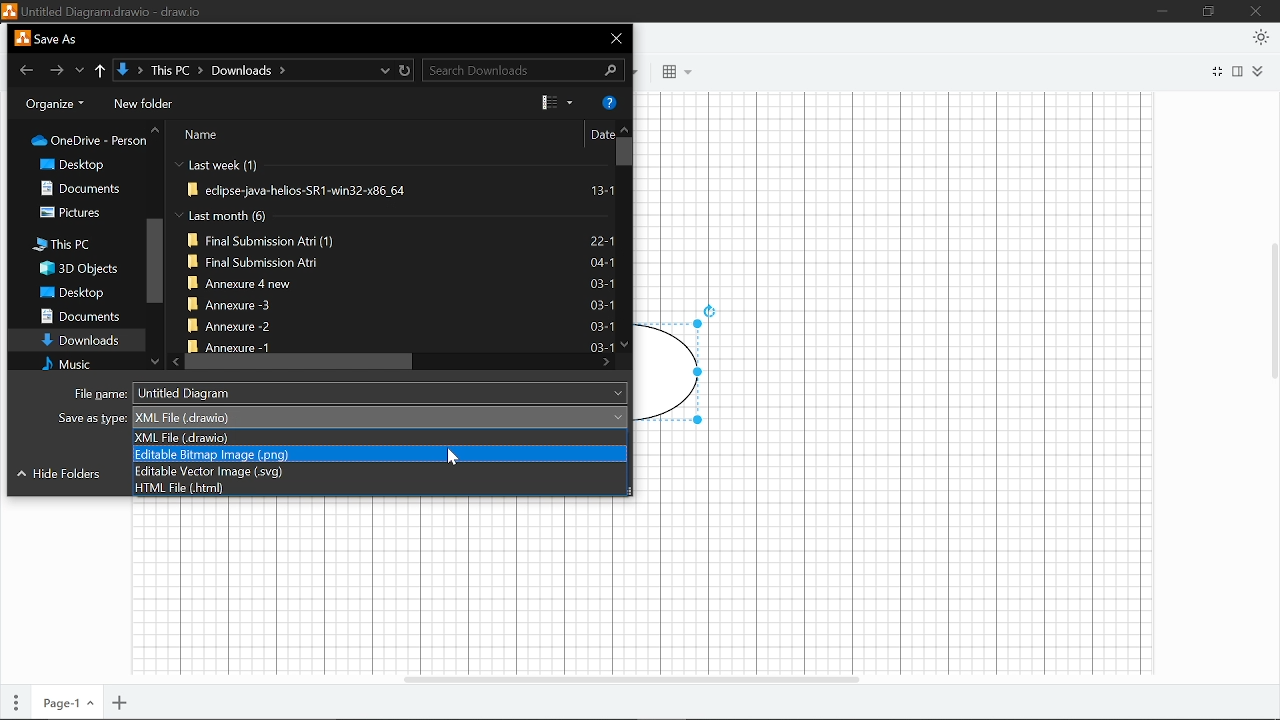  What do you see at coordinates (681, 366) in the screenshot?
I see `Shape drawn` at bounding box center [681, 366].